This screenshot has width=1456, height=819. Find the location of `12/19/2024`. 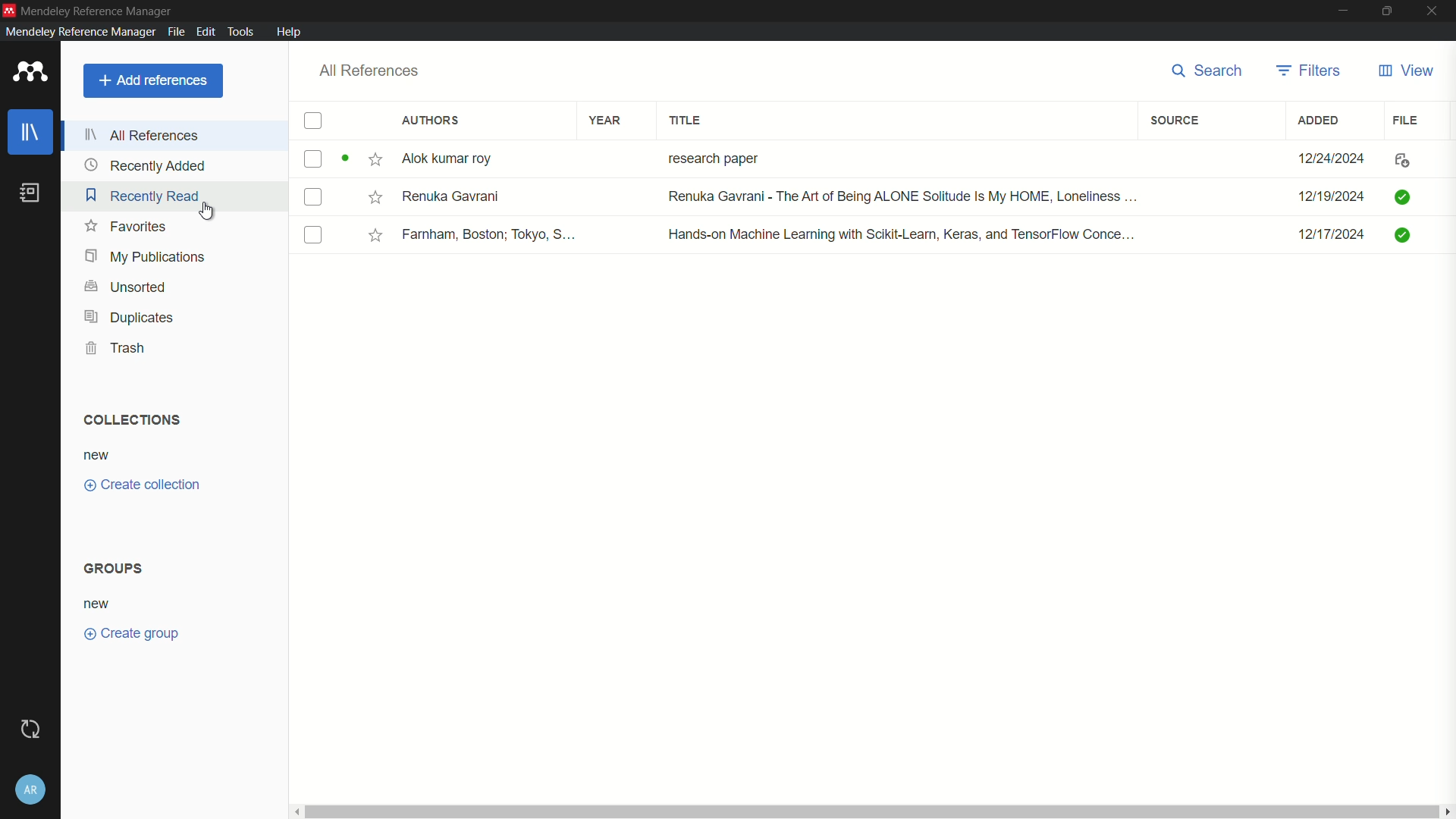

12/19/2024 is located at coordinates (1326, 193).